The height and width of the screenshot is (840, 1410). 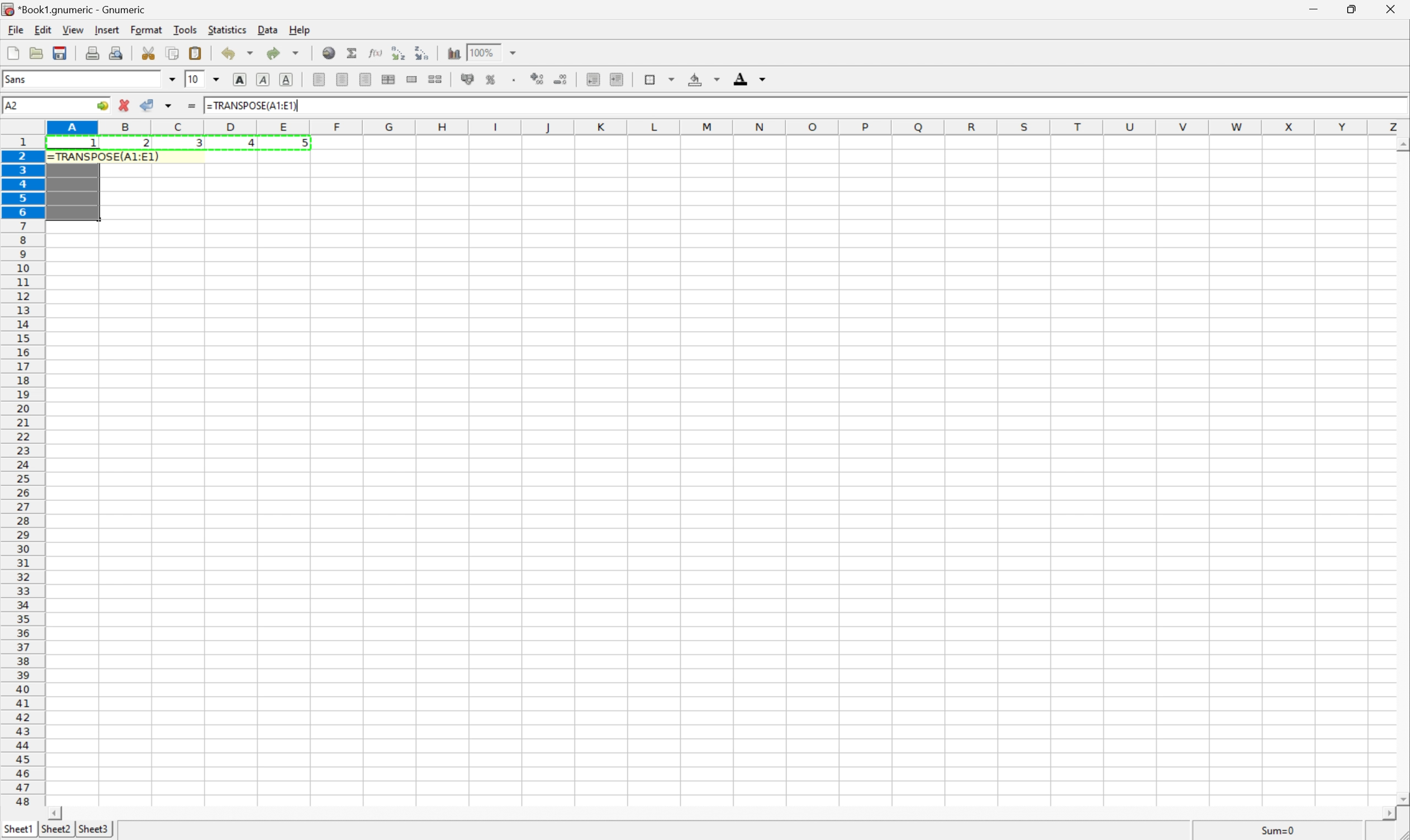 I want to click on drop down, so click(x=216, y=79).